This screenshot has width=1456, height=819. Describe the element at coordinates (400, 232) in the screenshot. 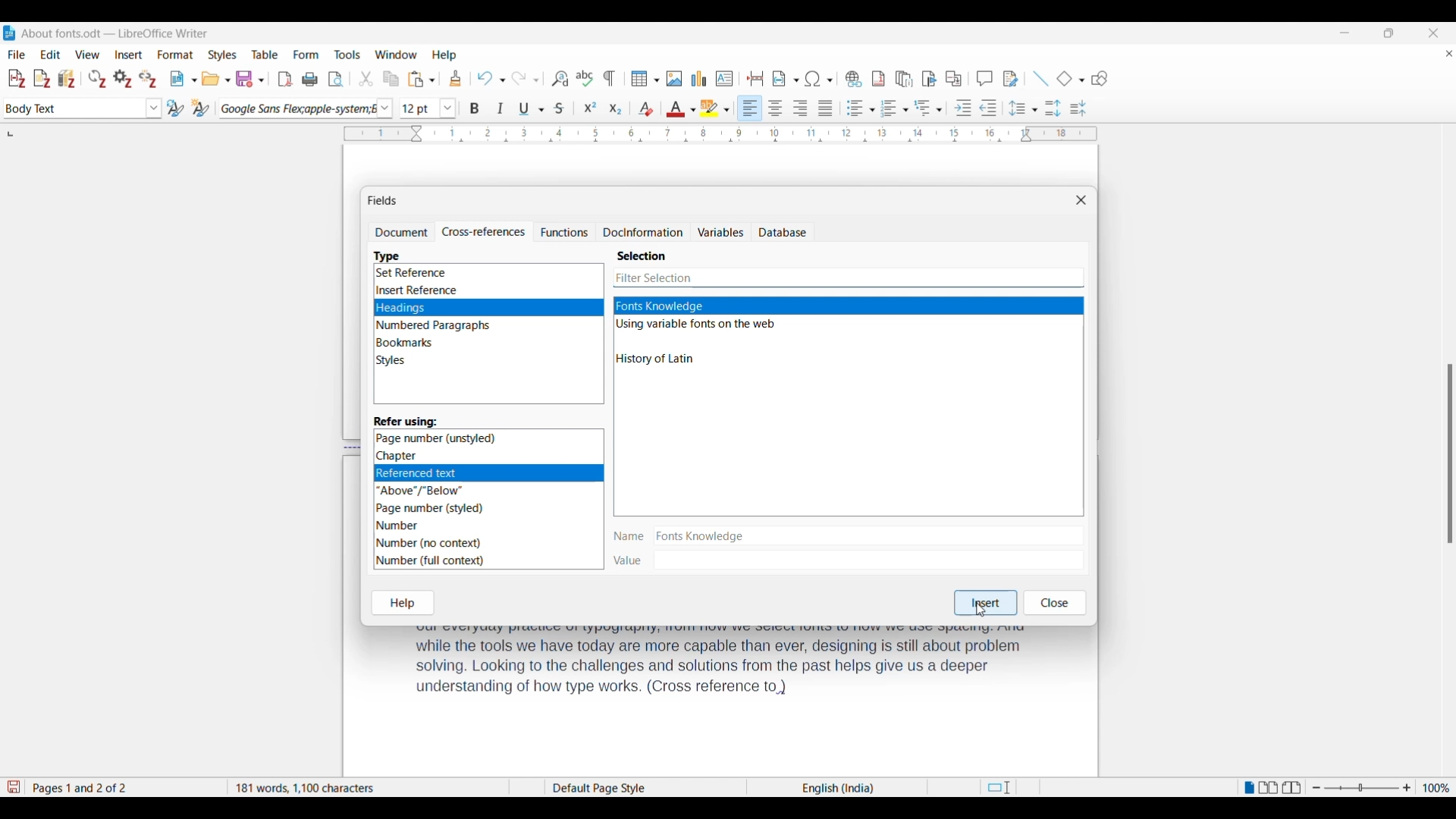

I see `Document` at that location.